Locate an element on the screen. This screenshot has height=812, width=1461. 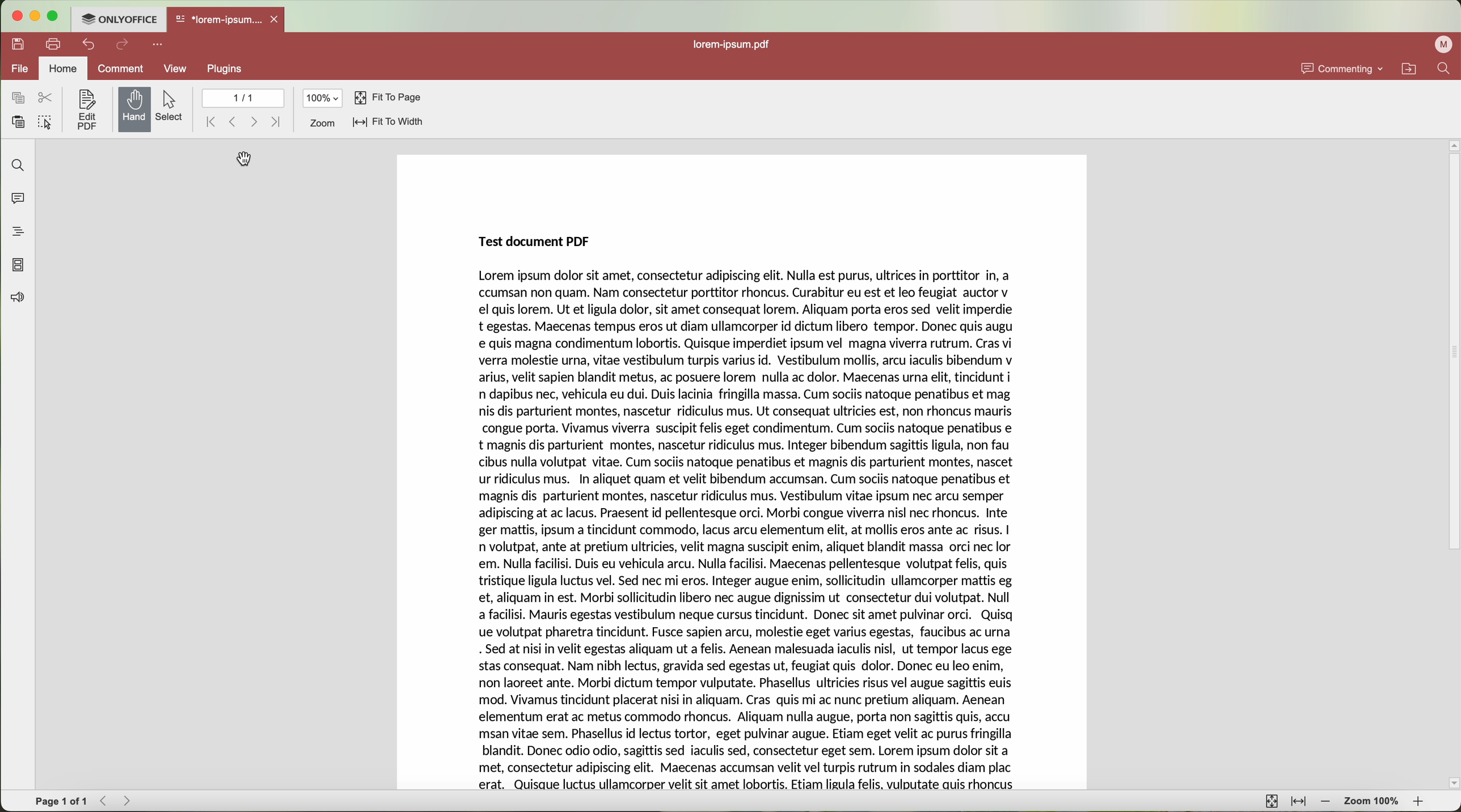
home is located at coordinates (63, 67).